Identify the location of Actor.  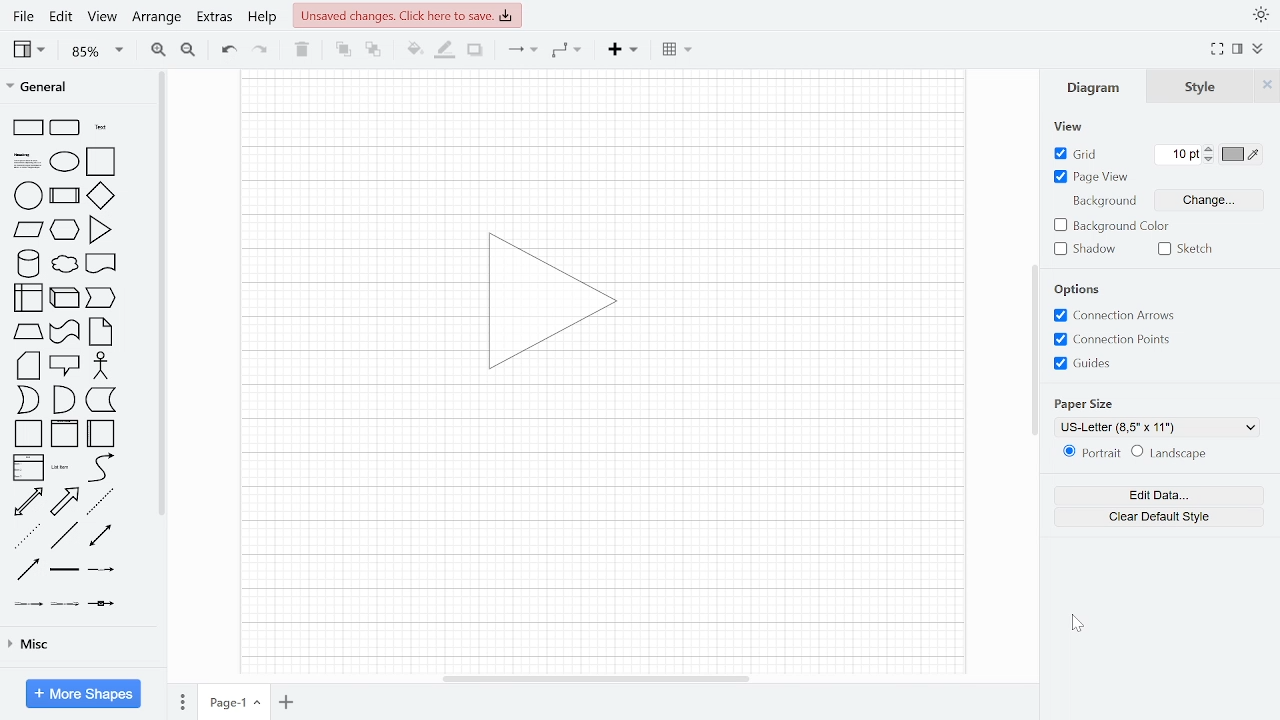
(101, 365).